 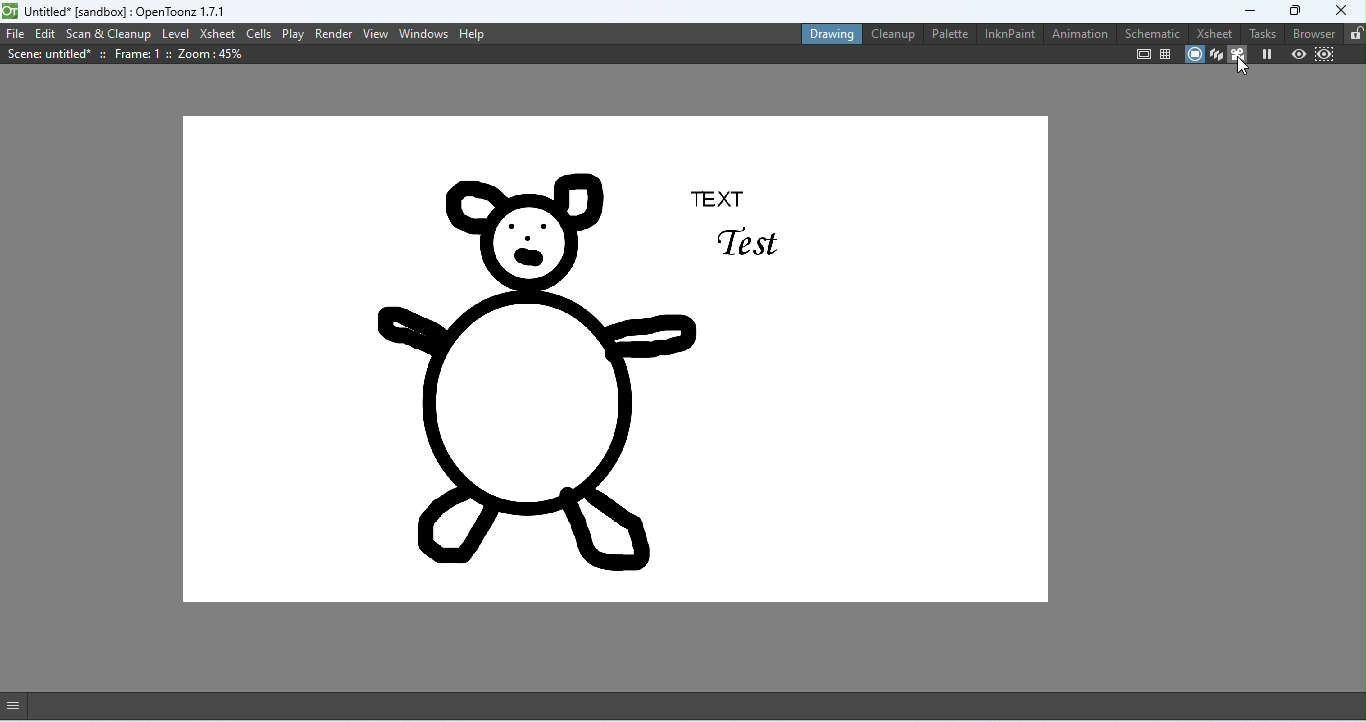 What do you see at coordinates (1261, 32) in the screenshot?
I see `tasks` at bounding box center [1261, 32].